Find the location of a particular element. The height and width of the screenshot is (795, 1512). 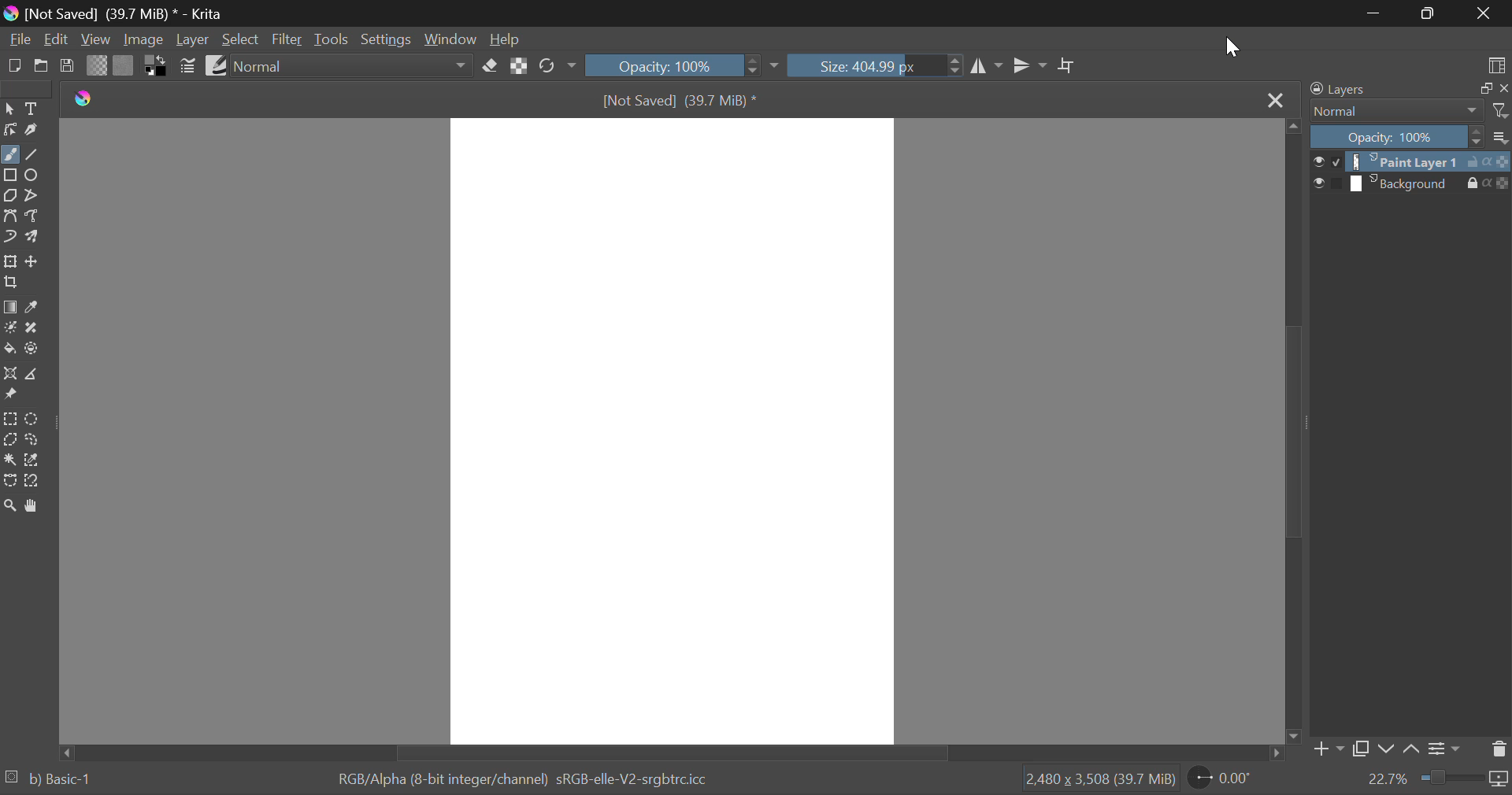

Rectangle Selection is located at coordinates (10, 418).